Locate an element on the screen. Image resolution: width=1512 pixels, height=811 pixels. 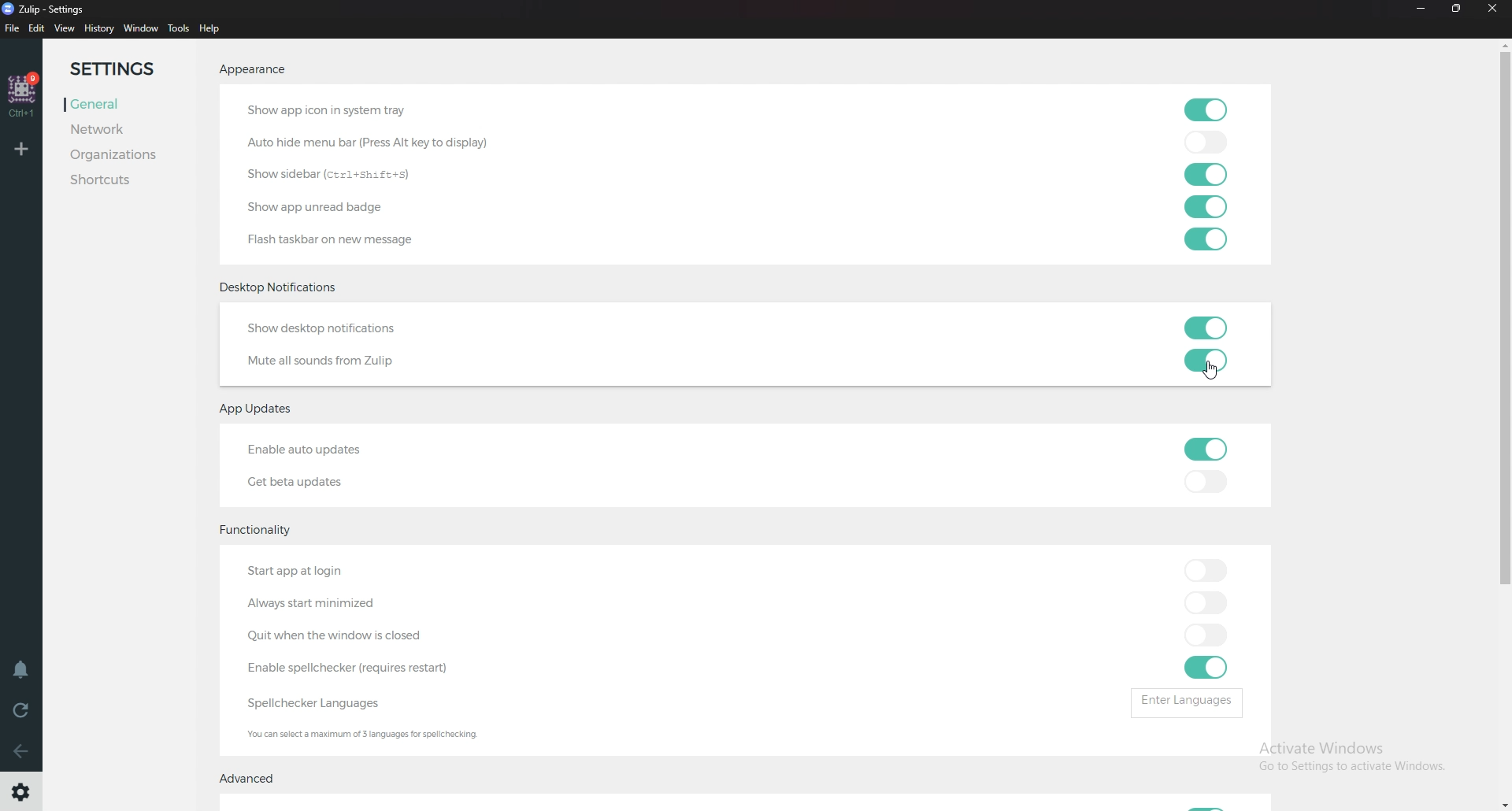
spell Checker languages is located at coordinates (314, 704).